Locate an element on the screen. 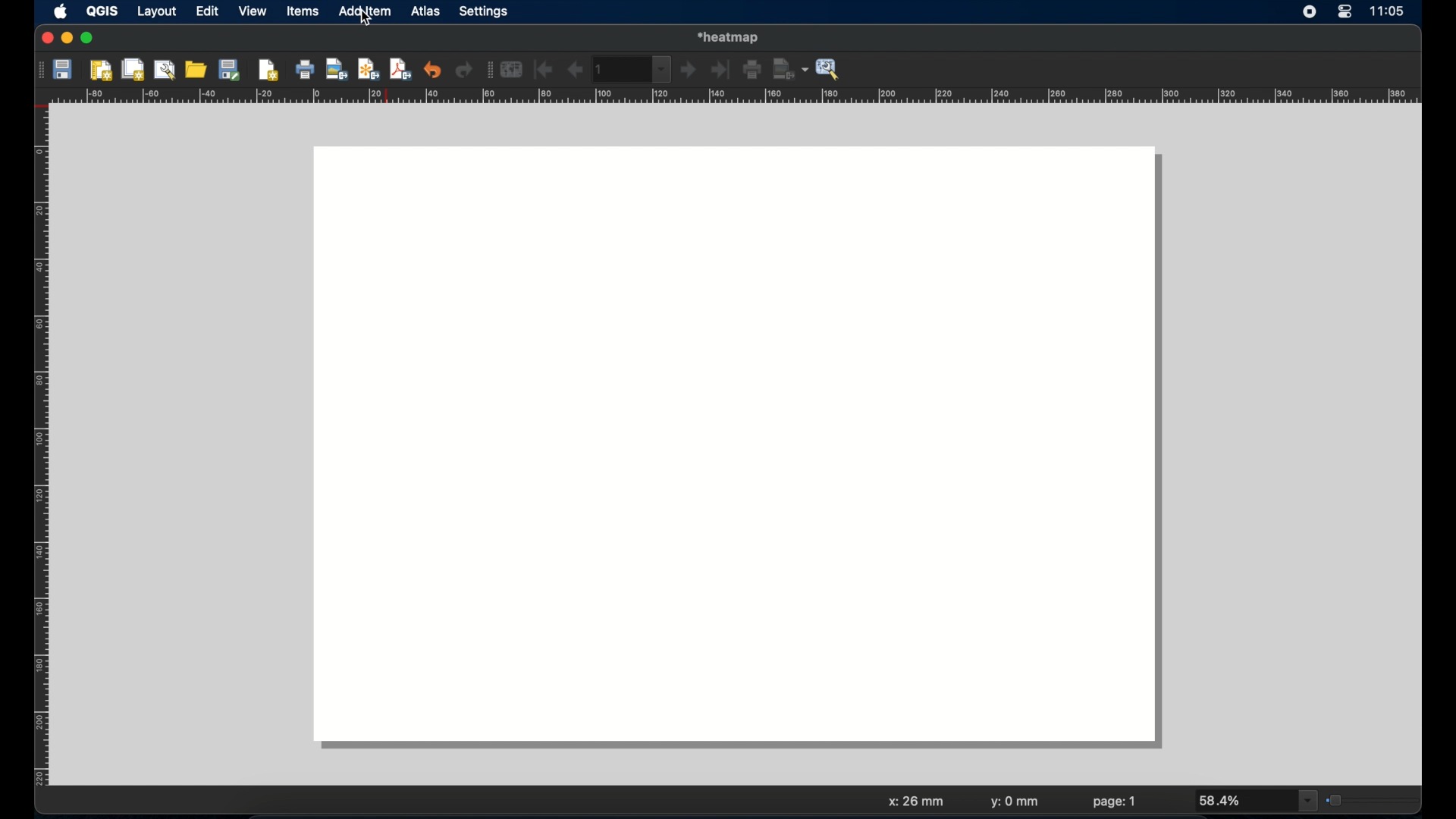  margin is located at coordinates (36, 448).